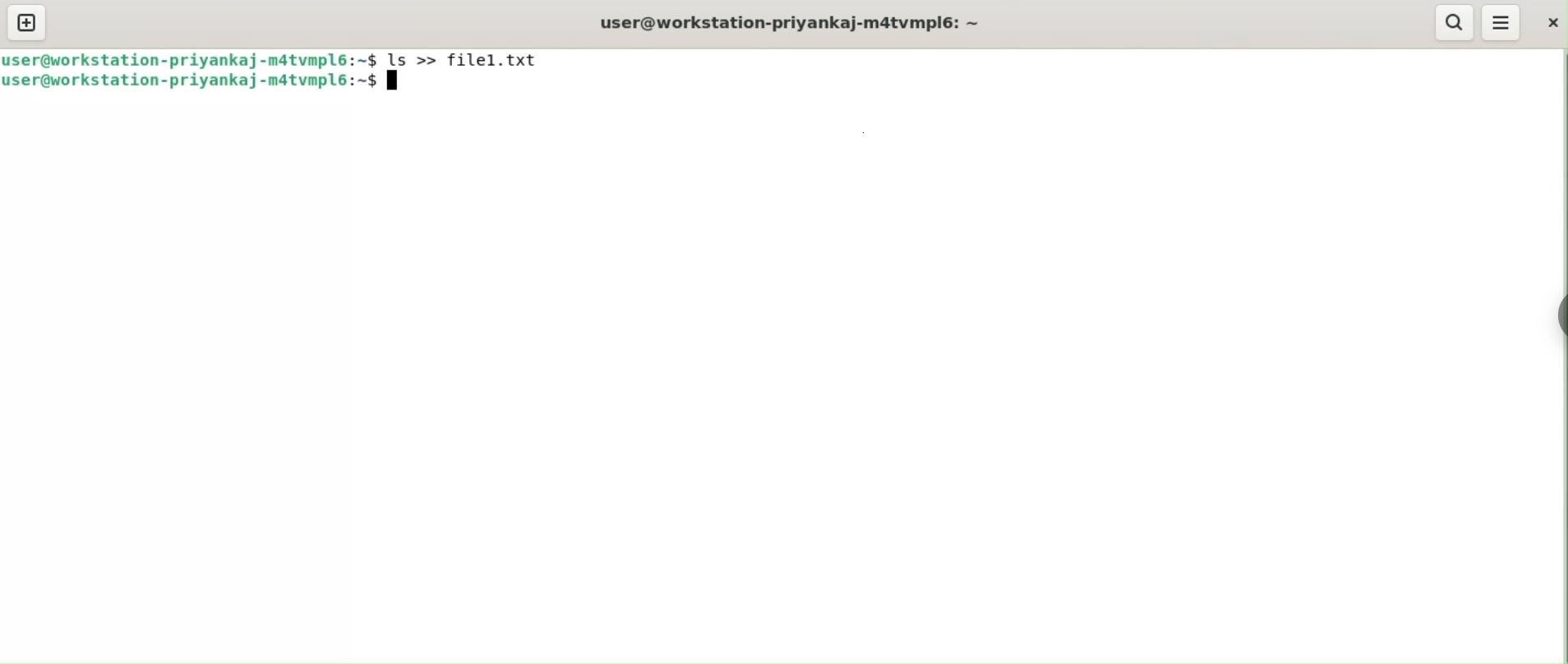  Describe the element at coordinates (470, 58) in the screenshot. I see `ls >> file1.txt` at that location.